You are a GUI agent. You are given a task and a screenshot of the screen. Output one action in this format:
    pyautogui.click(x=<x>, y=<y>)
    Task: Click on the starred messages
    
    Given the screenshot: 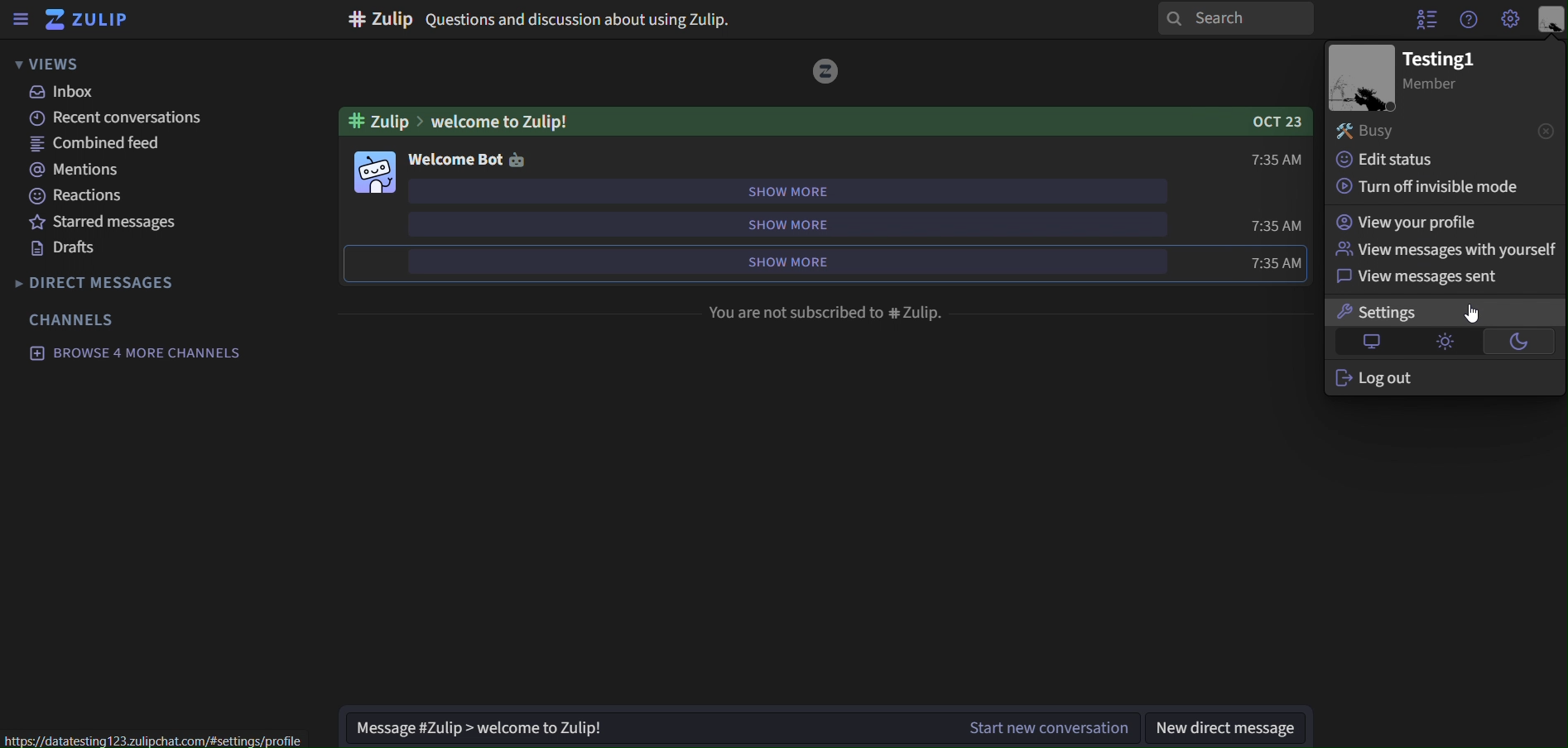 What is the action you would take?
    pyautogui.click(x=106, y=223)
    